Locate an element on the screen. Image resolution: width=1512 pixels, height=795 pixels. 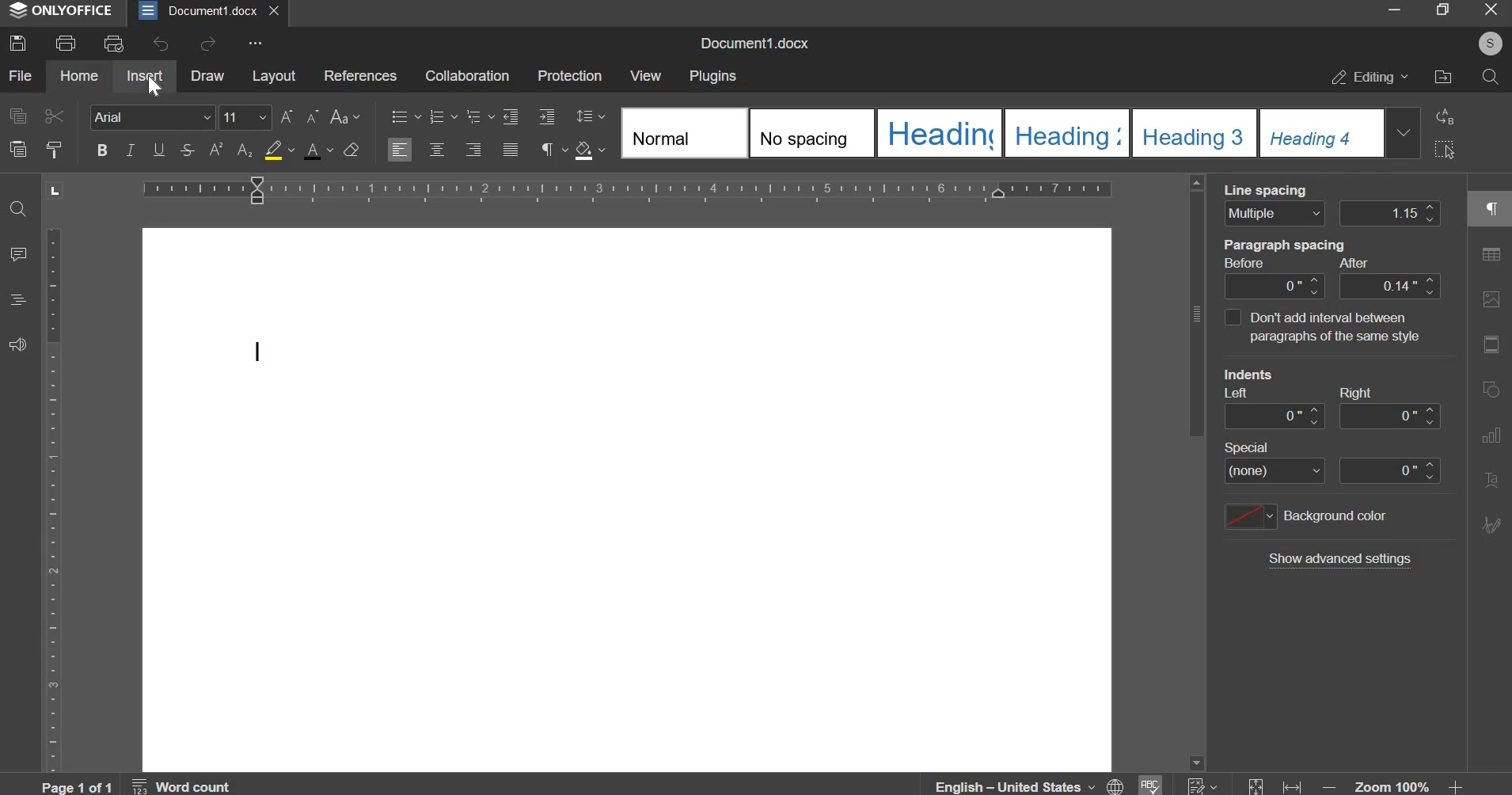
print preview is located at coordinates (116, 43).